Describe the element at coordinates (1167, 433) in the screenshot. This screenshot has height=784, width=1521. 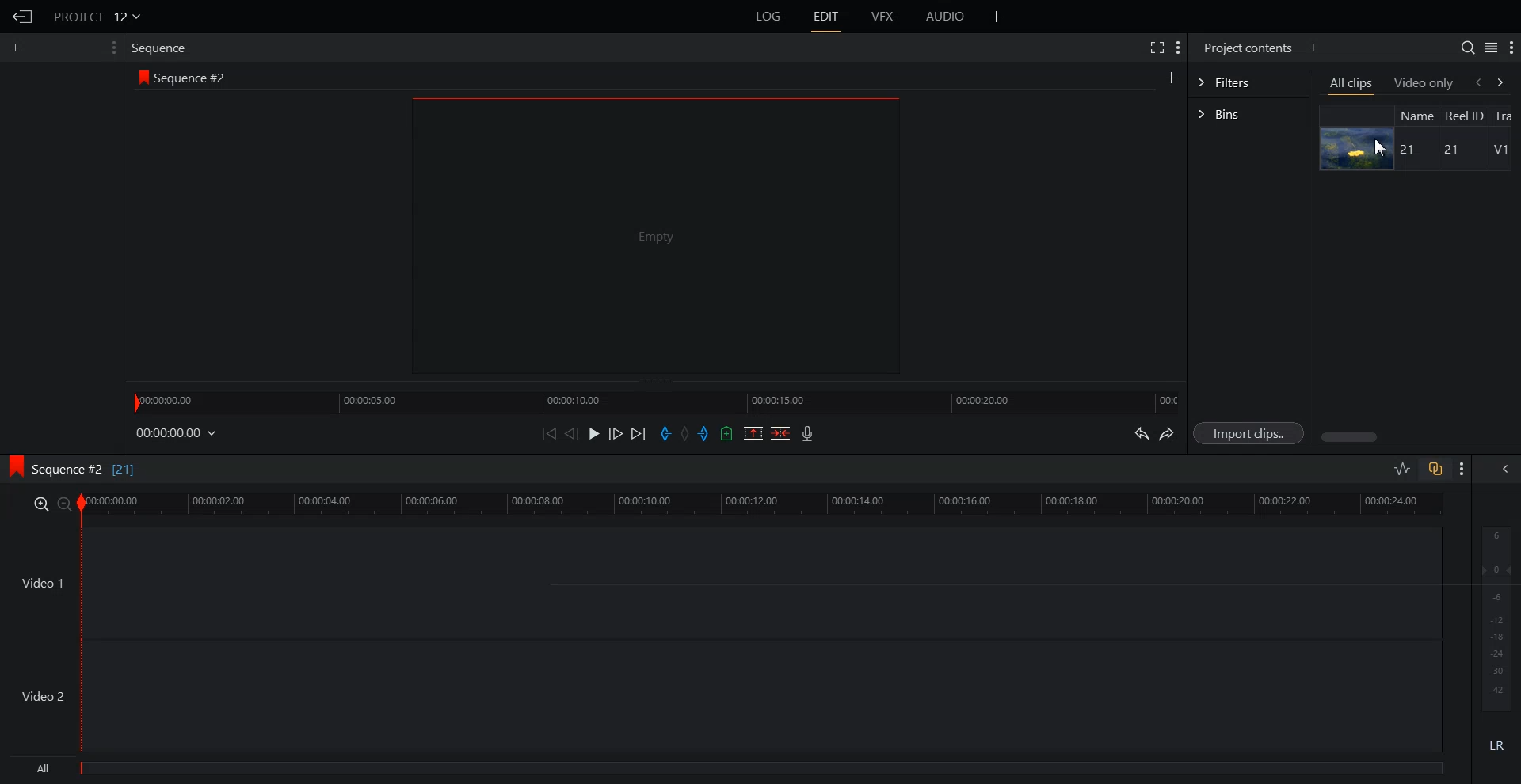
I see `Redo` at that location.